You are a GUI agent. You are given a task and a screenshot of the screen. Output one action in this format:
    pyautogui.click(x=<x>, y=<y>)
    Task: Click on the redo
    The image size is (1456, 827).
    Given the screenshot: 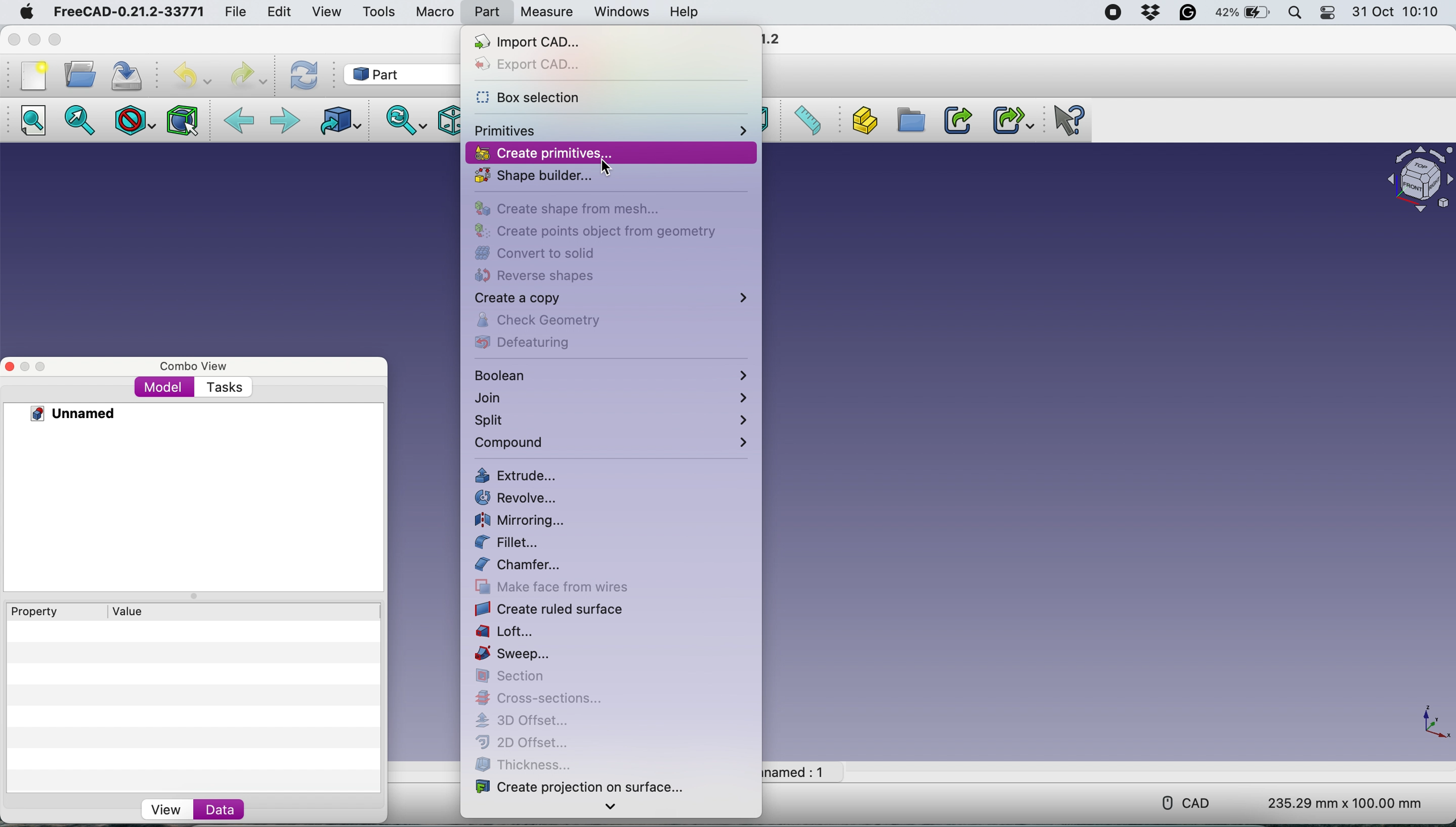 What is the action you would take?
    pyautogui.click(x=246, y=74)
    